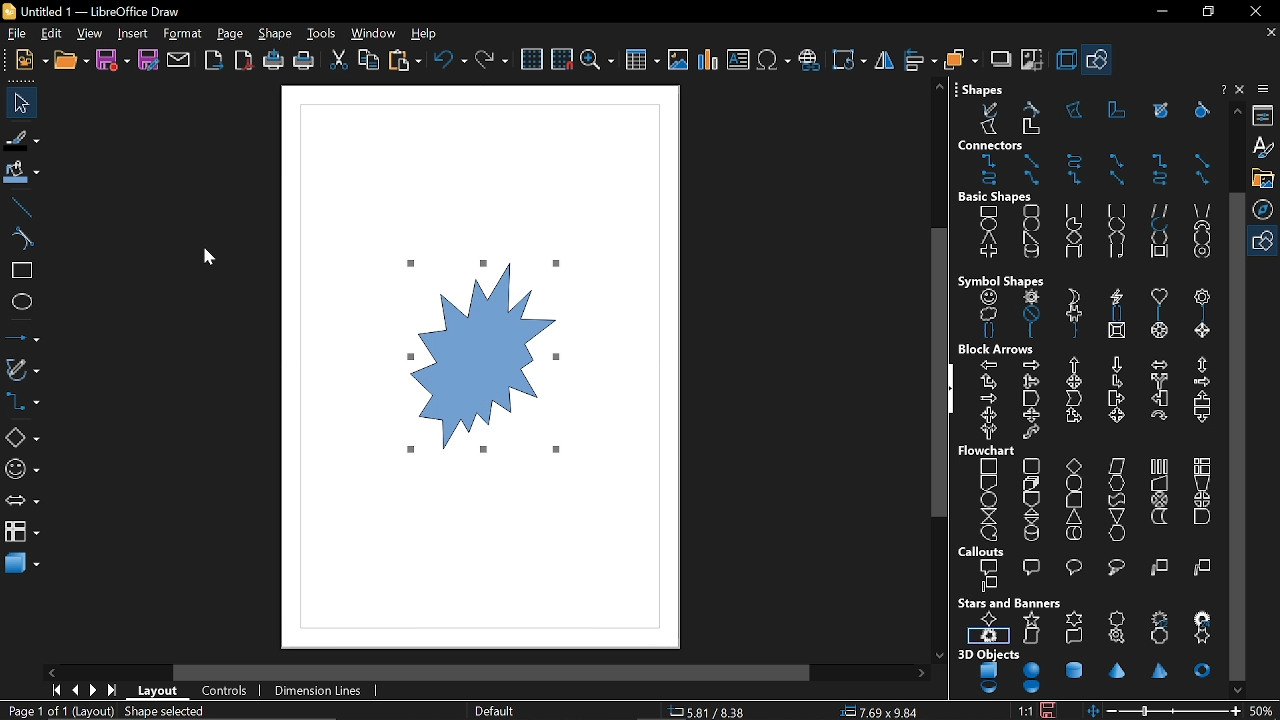 This screenshot has width=1280, height=720. Describe the element at coordinates (21, 405) in the screenshot. I see `connectors` at that location.